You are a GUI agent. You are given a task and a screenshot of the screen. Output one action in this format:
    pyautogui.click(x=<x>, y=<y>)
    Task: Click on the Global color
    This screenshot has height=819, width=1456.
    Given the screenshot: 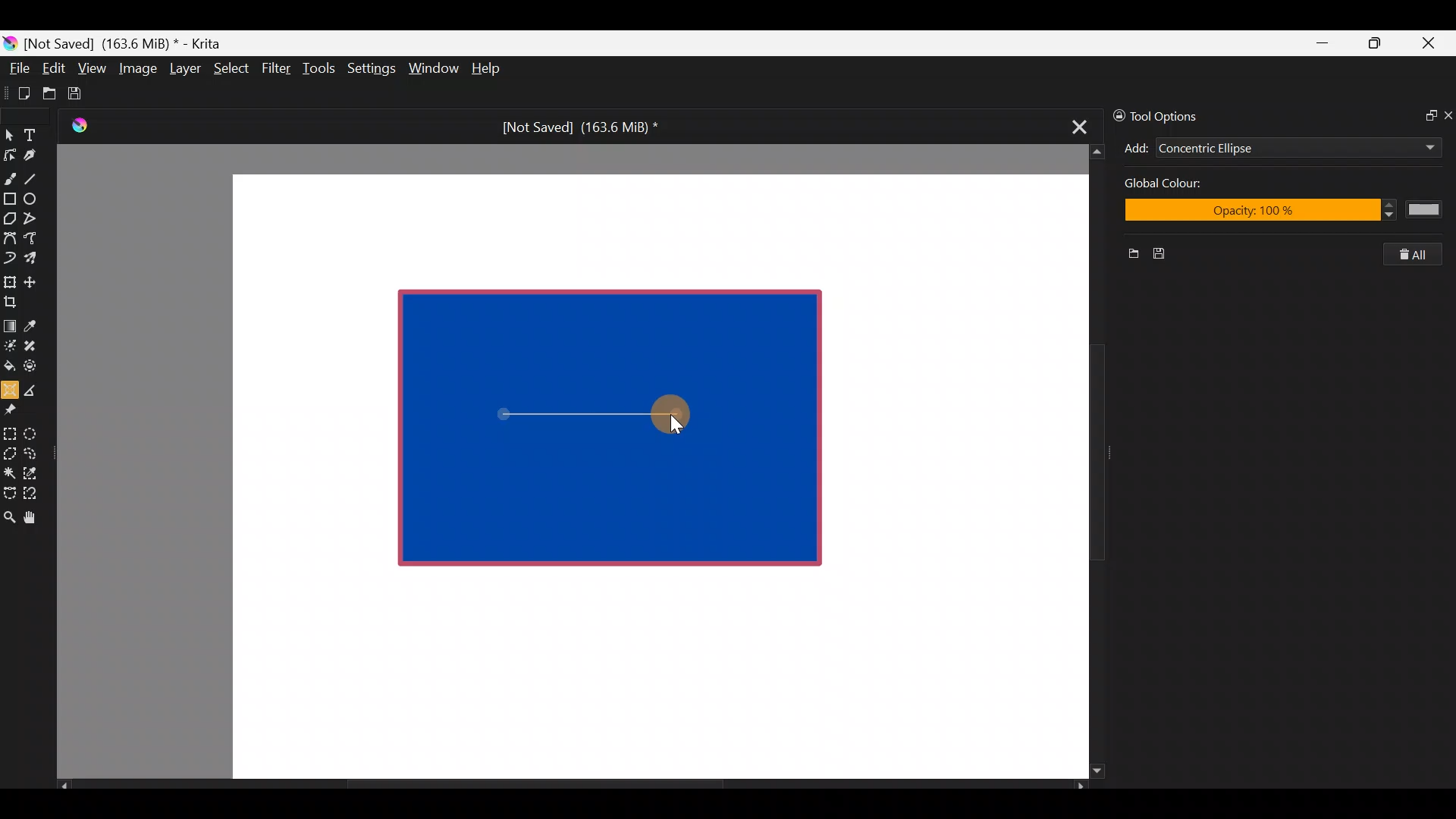 What is the action you would take?
    pyautogui.click(x=1205, y=185)
    